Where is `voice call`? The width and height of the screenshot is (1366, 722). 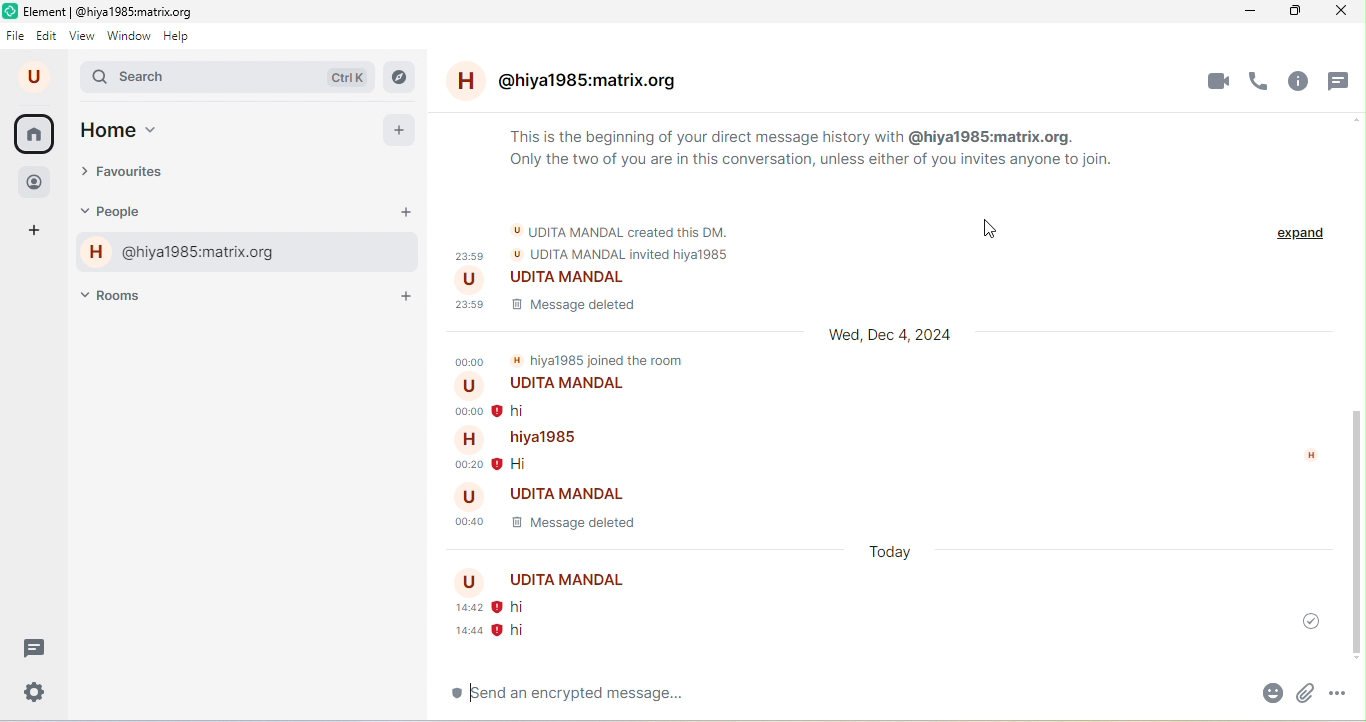
voice call is located at coordinates (1261, 80).